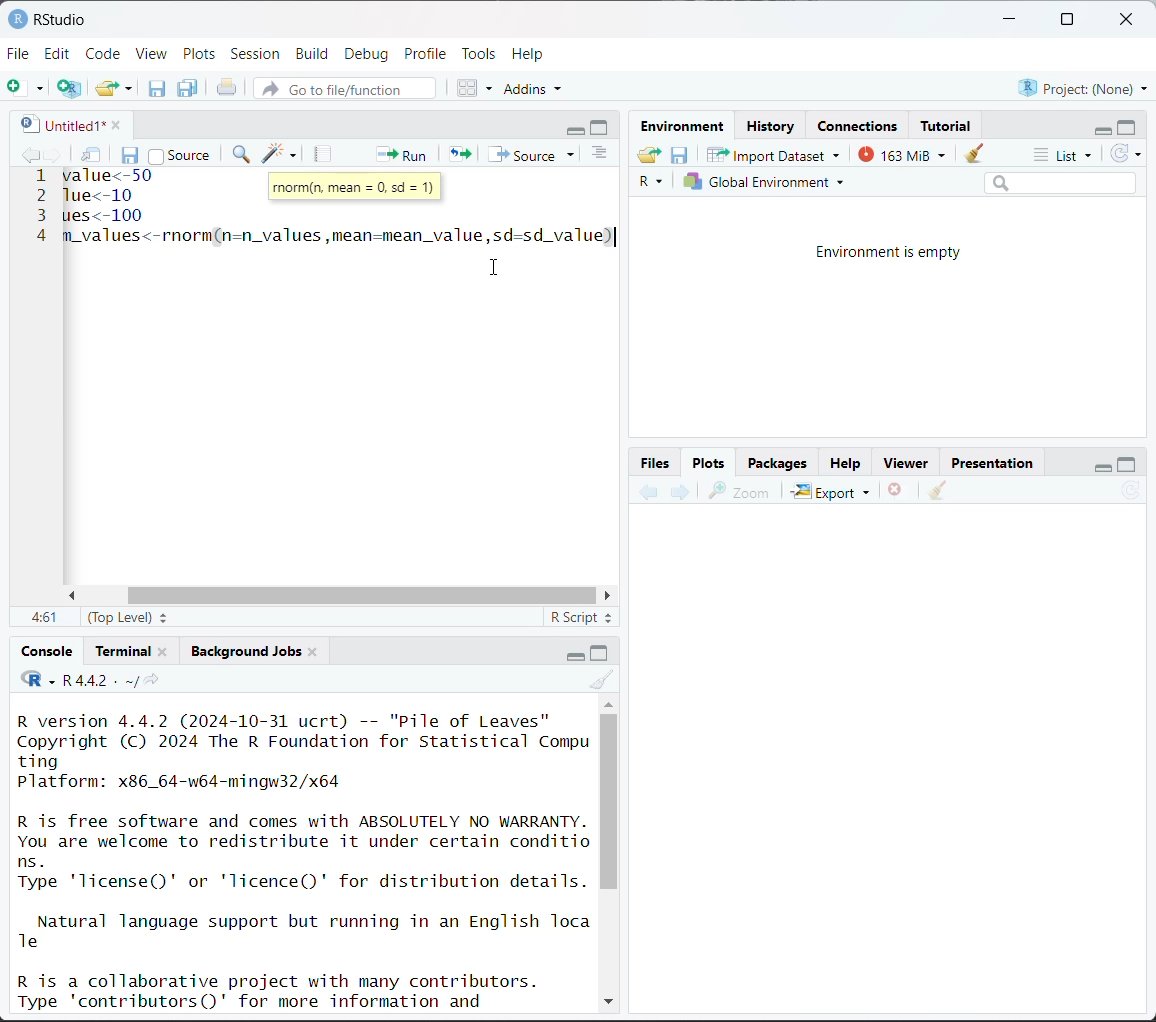 The height and width of the screenshot is (1022, 1156). What do you see at coordinates (111, 123) in the screenshot?
I see `close` at bounding box center [111, 123].